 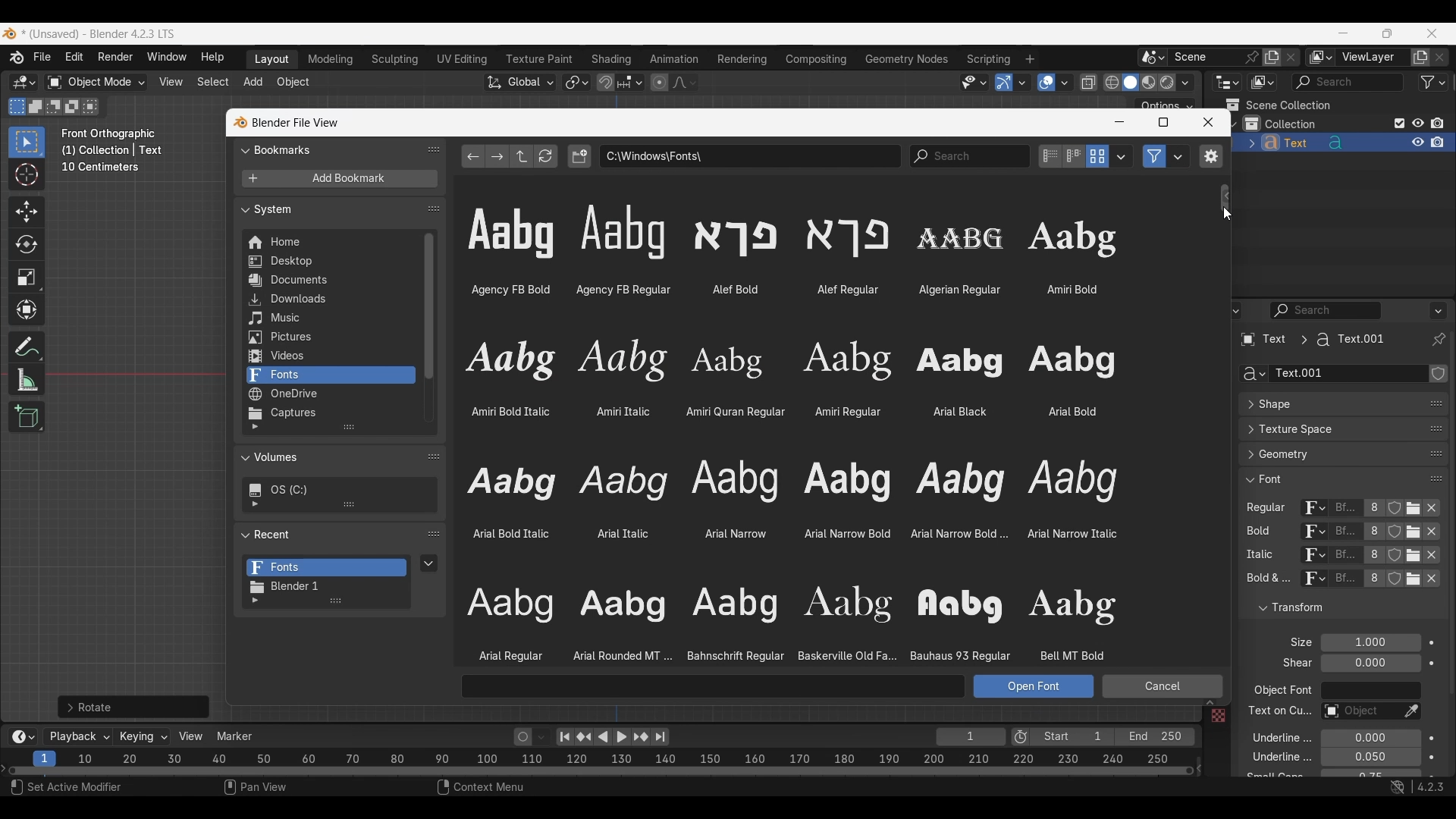 What do you see at coordinates (9, 33) in the screenshot?
I see `Software logo` at bounding box center [9, 33].